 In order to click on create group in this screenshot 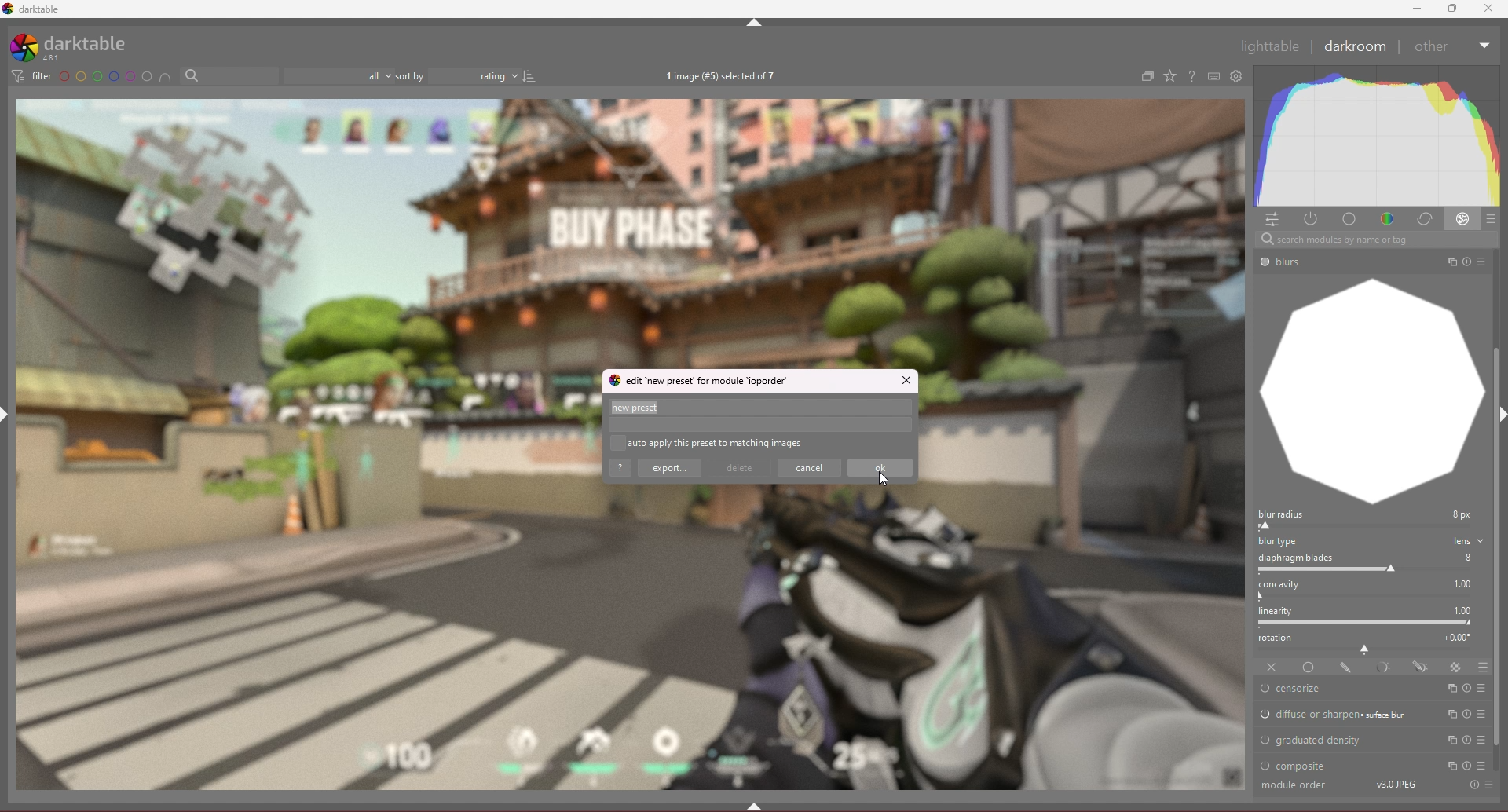, I will do `click(1147, 76)`.